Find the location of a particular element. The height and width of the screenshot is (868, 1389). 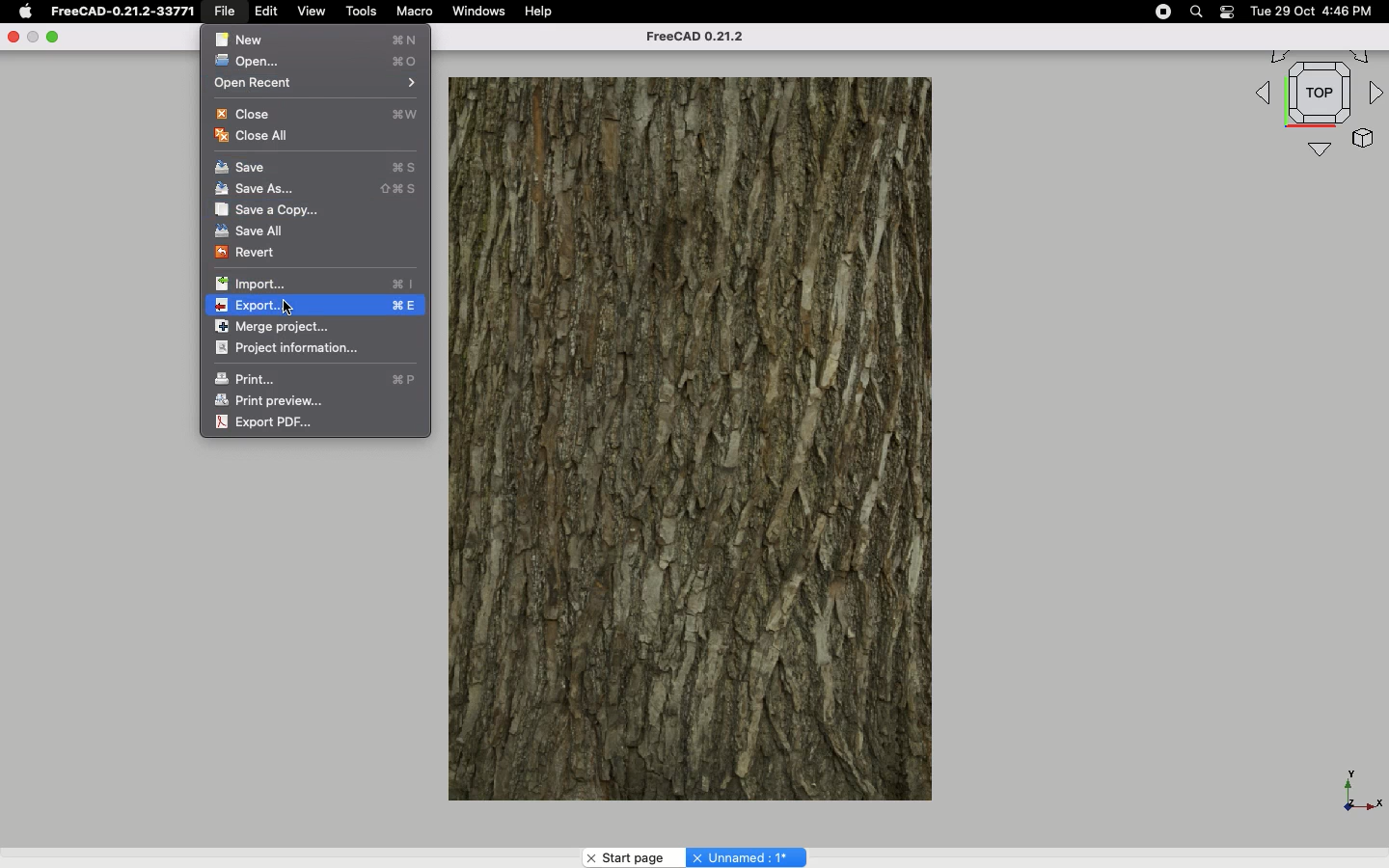

Save all is located at coordinates (252, 231).